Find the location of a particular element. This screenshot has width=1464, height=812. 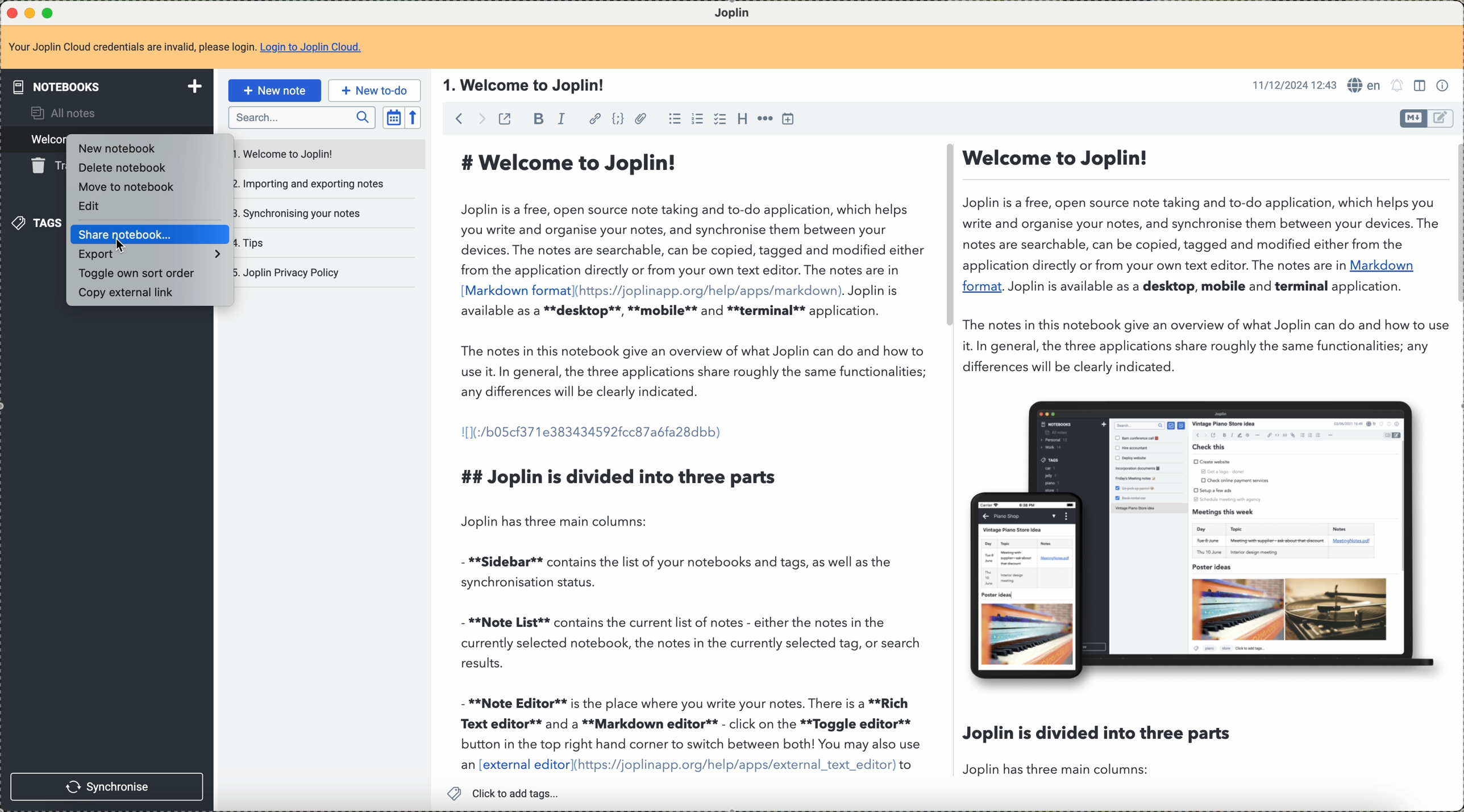

language is located at coordinates (1364, 85).